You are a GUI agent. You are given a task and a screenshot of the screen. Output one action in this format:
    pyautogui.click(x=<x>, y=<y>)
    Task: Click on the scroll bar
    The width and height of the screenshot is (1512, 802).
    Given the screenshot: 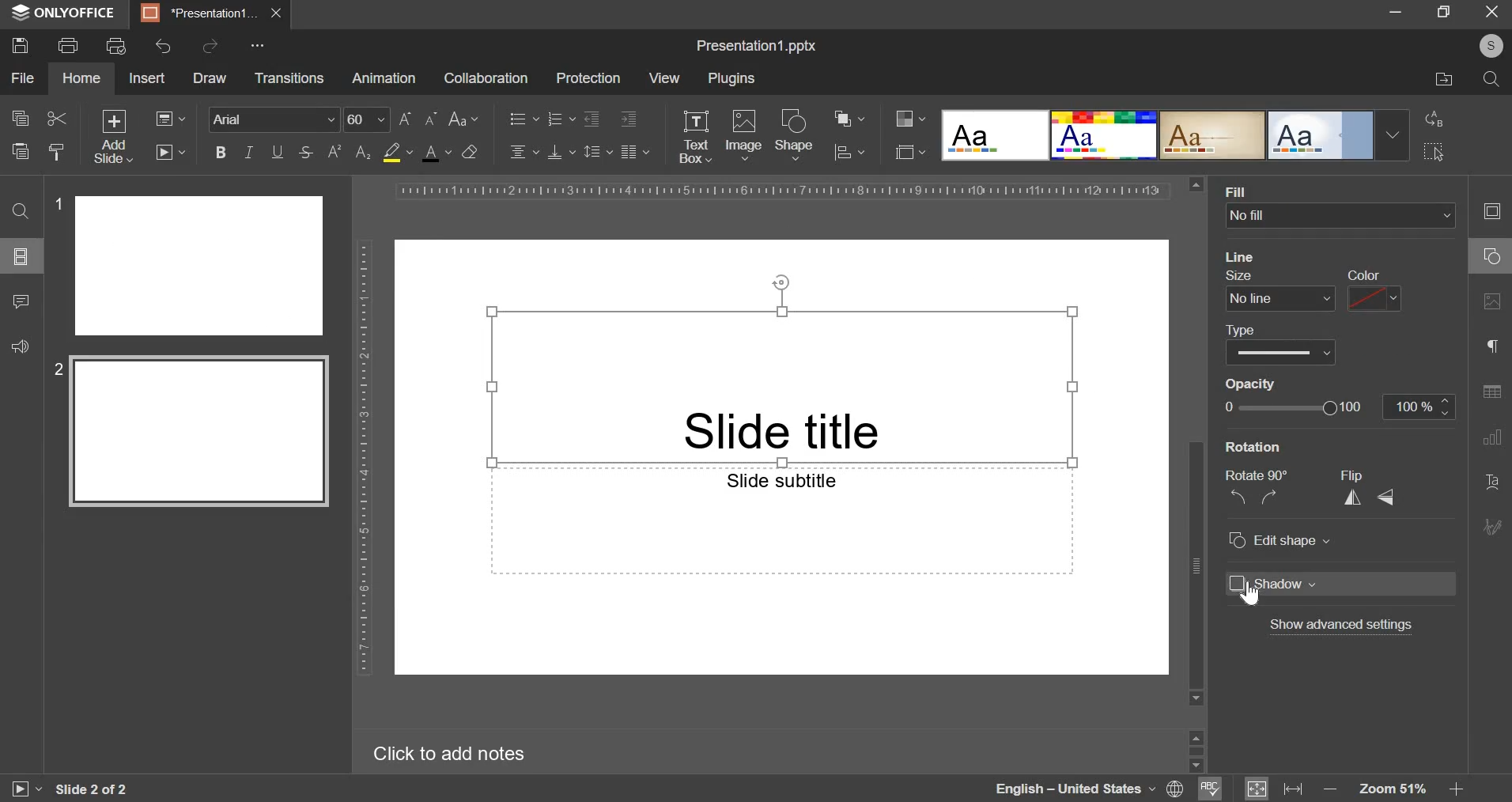 What is the action you would take?
    pyautogui.click(x=1196, y=441)
    